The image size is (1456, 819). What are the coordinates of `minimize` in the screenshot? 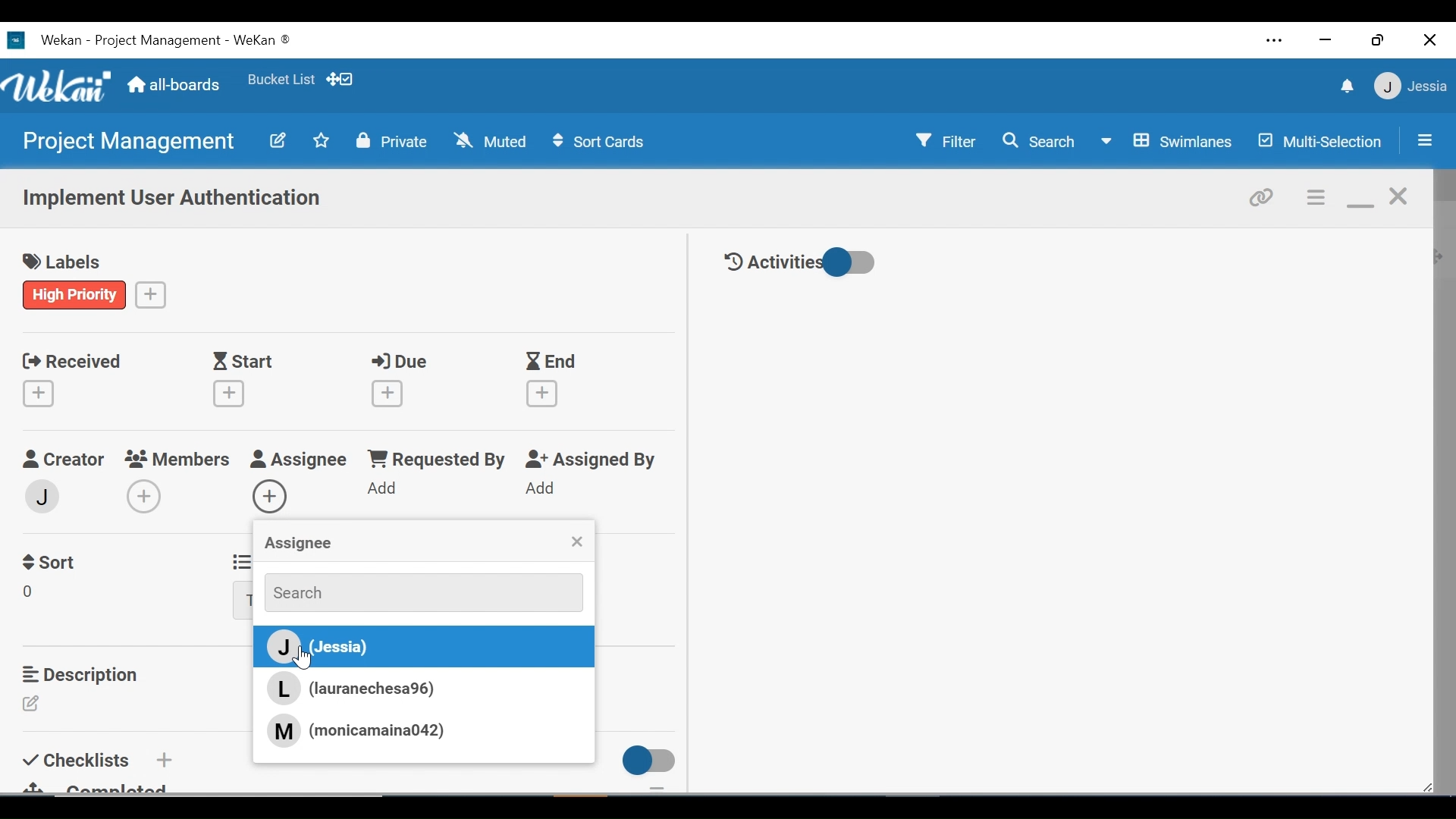 It's located at (1360, 199).